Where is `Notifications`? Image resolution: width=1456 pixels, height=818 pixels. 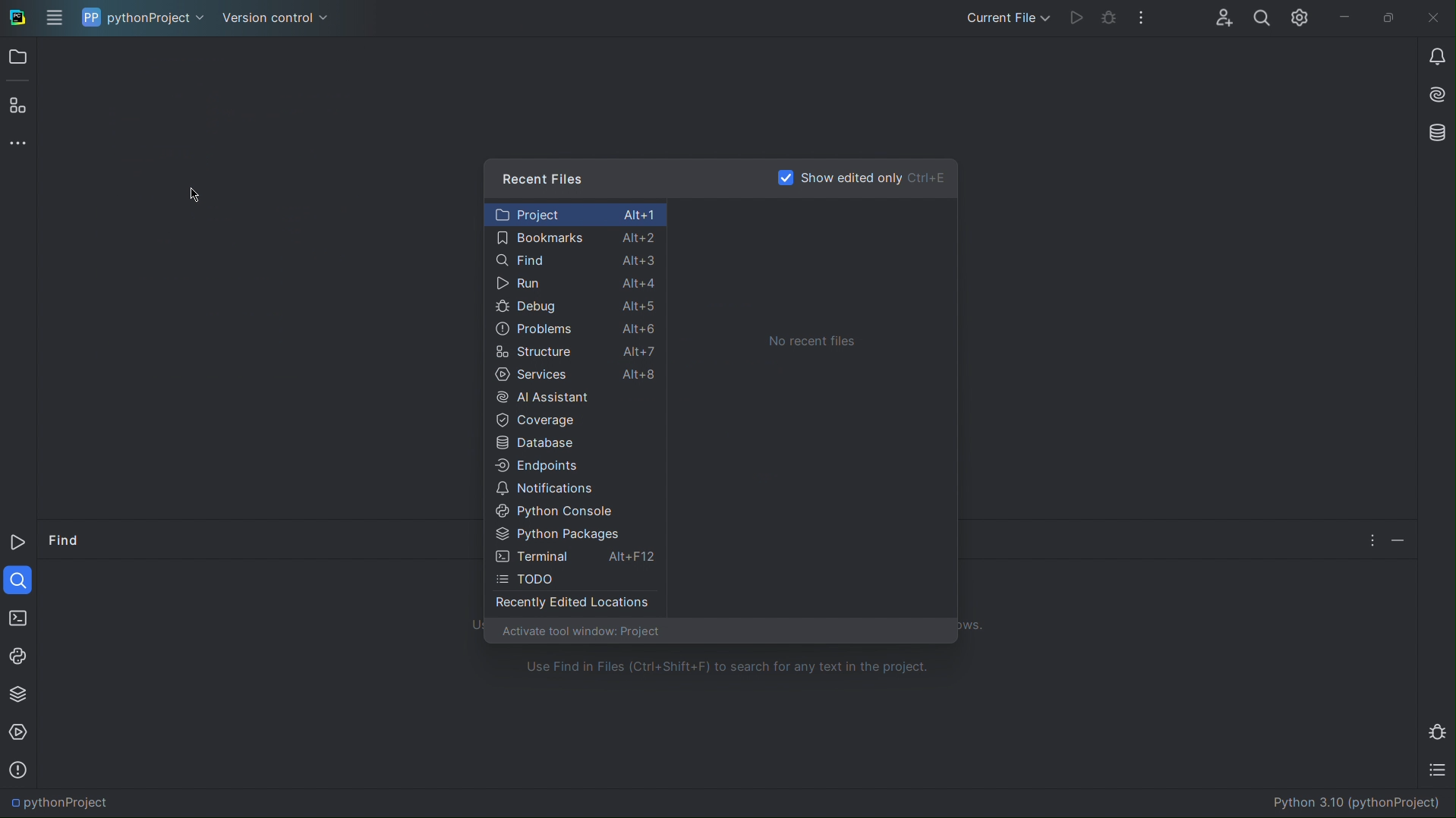
Notifications is located at coordinates (575, 488).